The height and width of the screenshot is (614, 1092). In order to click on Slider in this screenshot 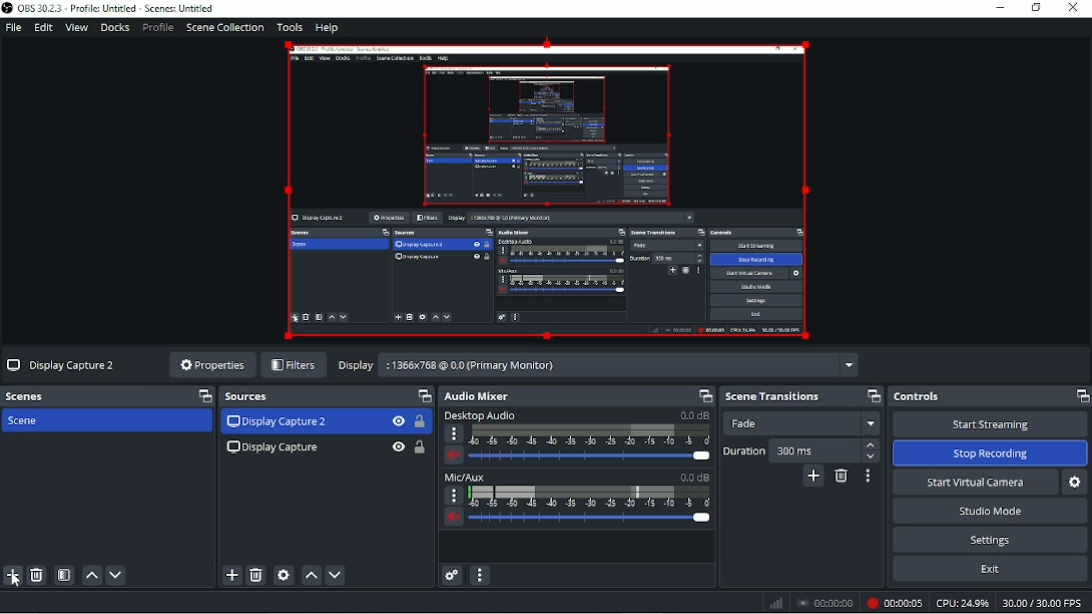, I will do `click(592, 520)`.